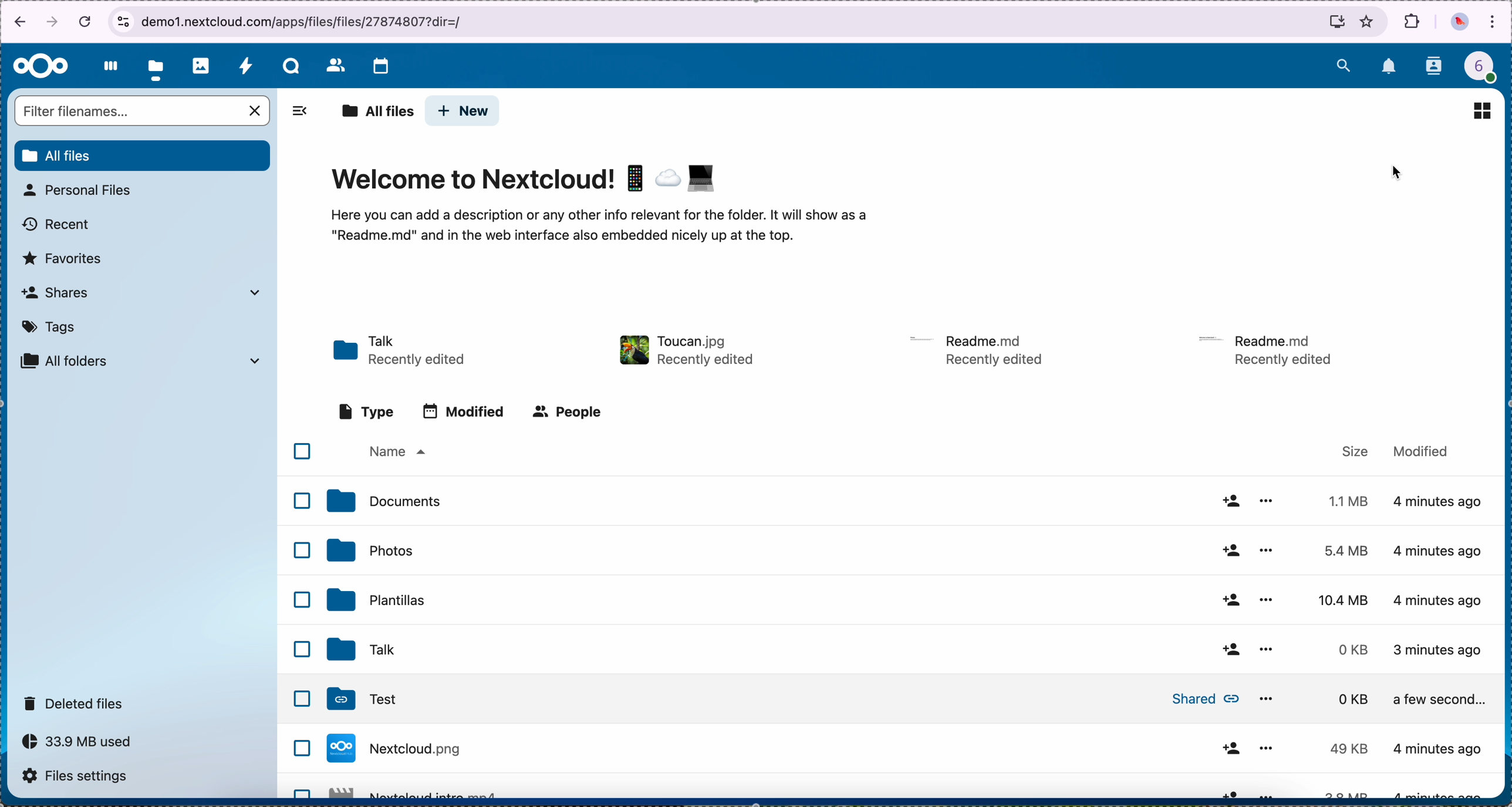  What do you see at coordinates (1481, 110) in the screenshot?
I see `view grid` at bounding box center [1481, 110].